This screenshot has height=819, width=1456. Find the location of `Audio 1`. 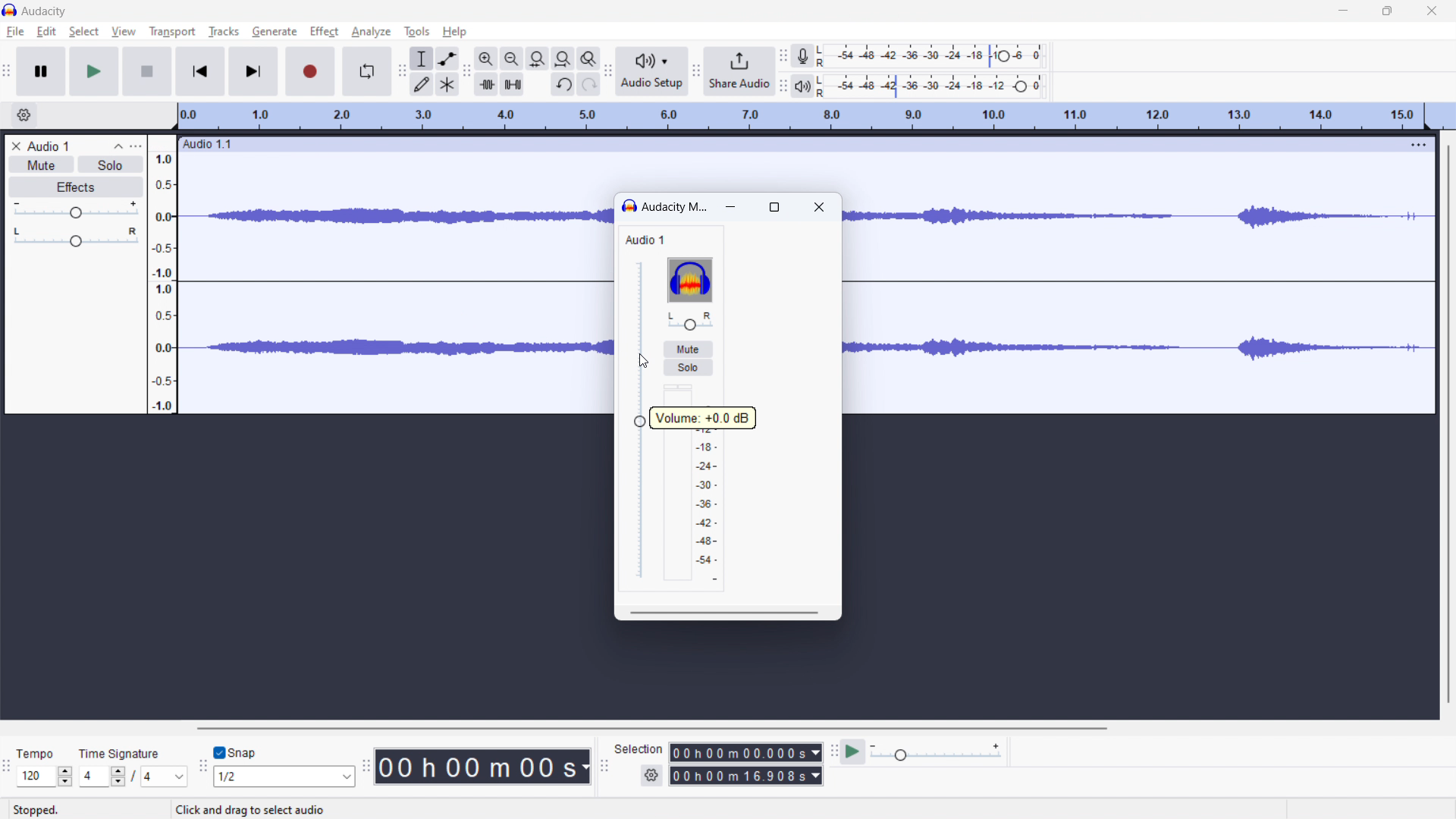

Audio 1 is located at coordinates (654, 240).